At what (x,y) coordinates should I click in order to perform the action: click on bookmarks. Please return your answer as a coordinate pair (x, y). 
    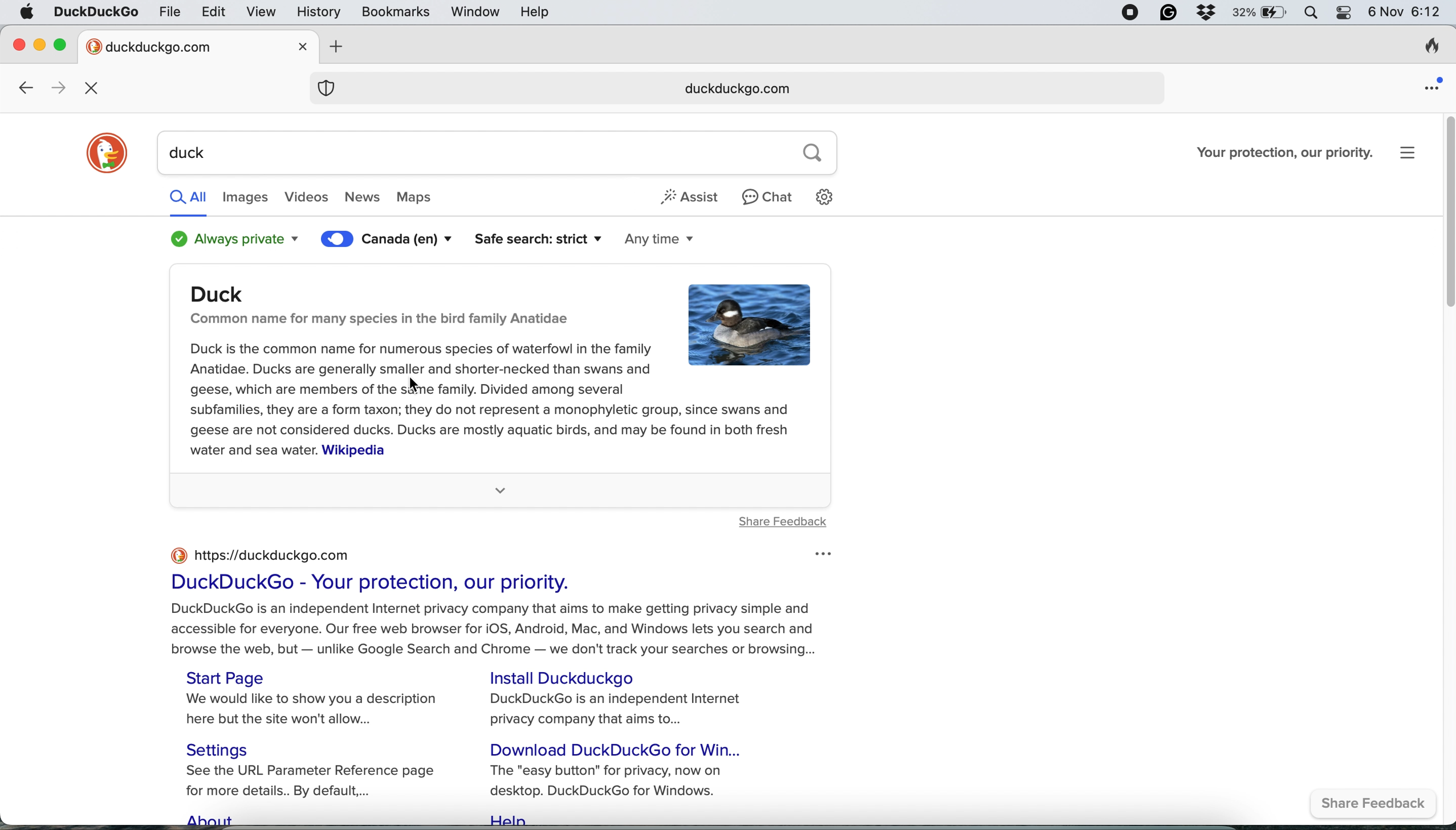
    Looking at the image, I should click on (396, 13).